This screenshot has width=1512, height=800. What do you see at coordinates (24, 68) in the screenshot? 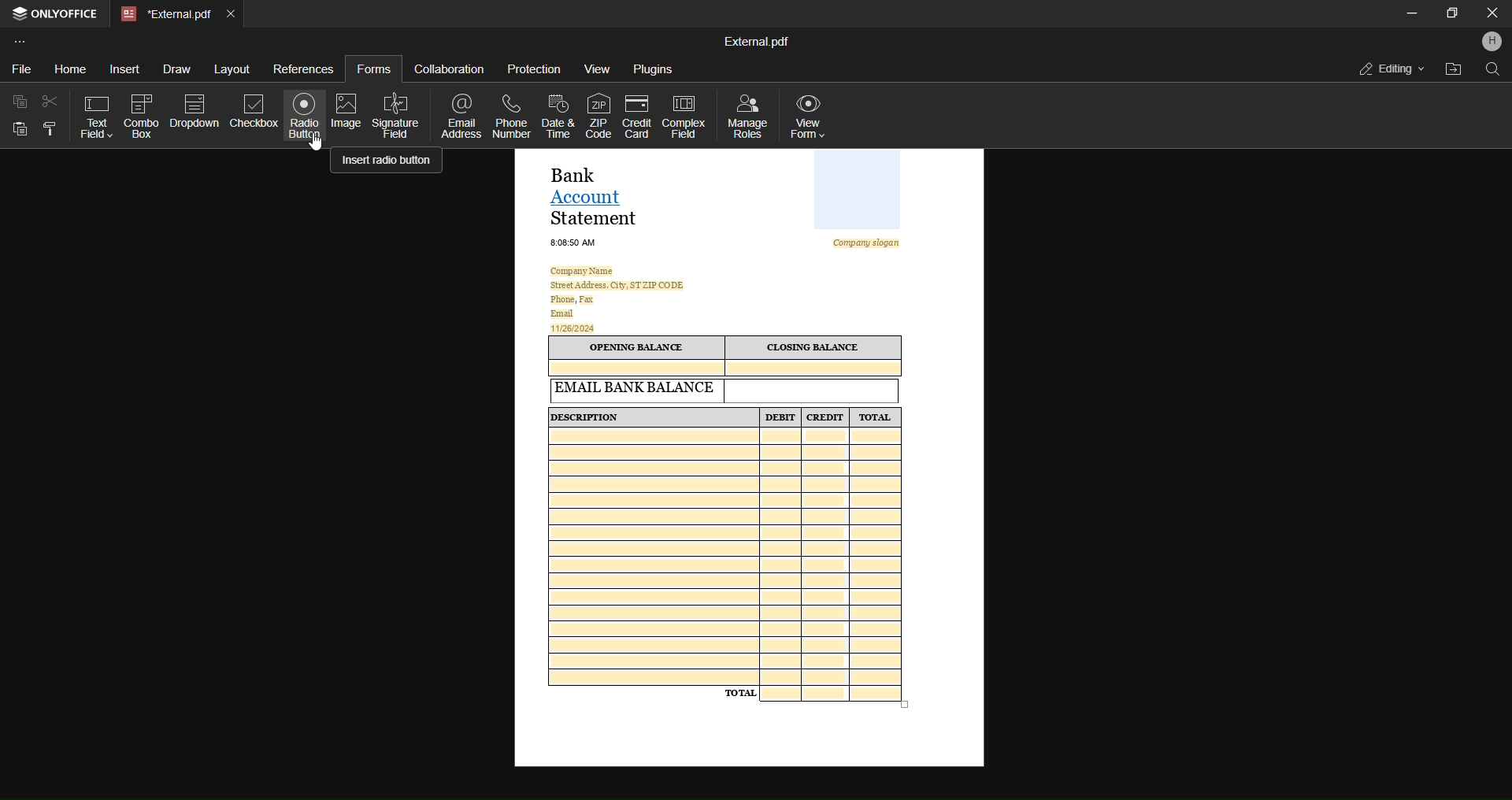
I see `file` at bounding box center [24, 68].